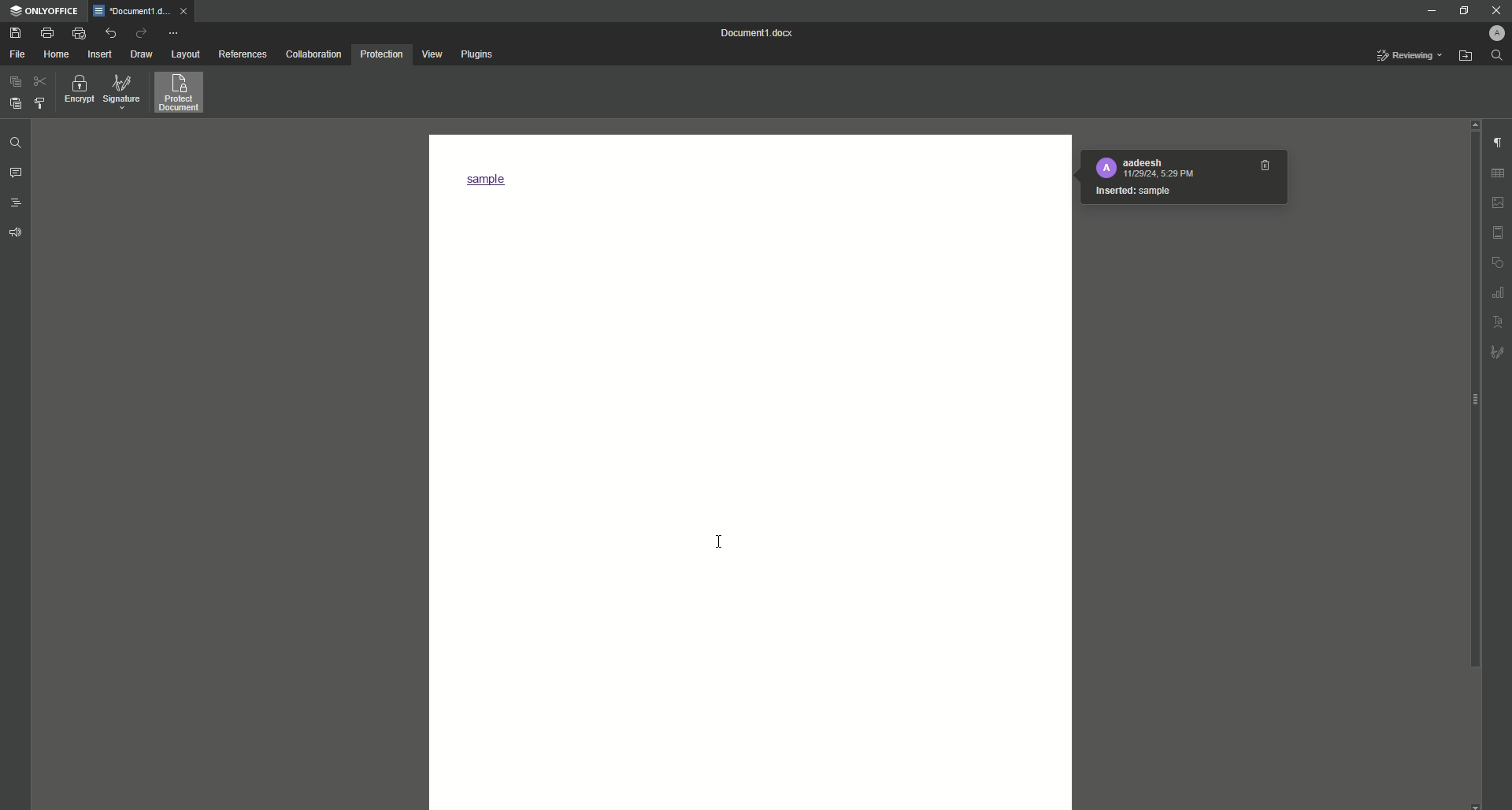  Describe the element at coordinates (760, 33) in the screenshot. I see `Document 1` at that location.